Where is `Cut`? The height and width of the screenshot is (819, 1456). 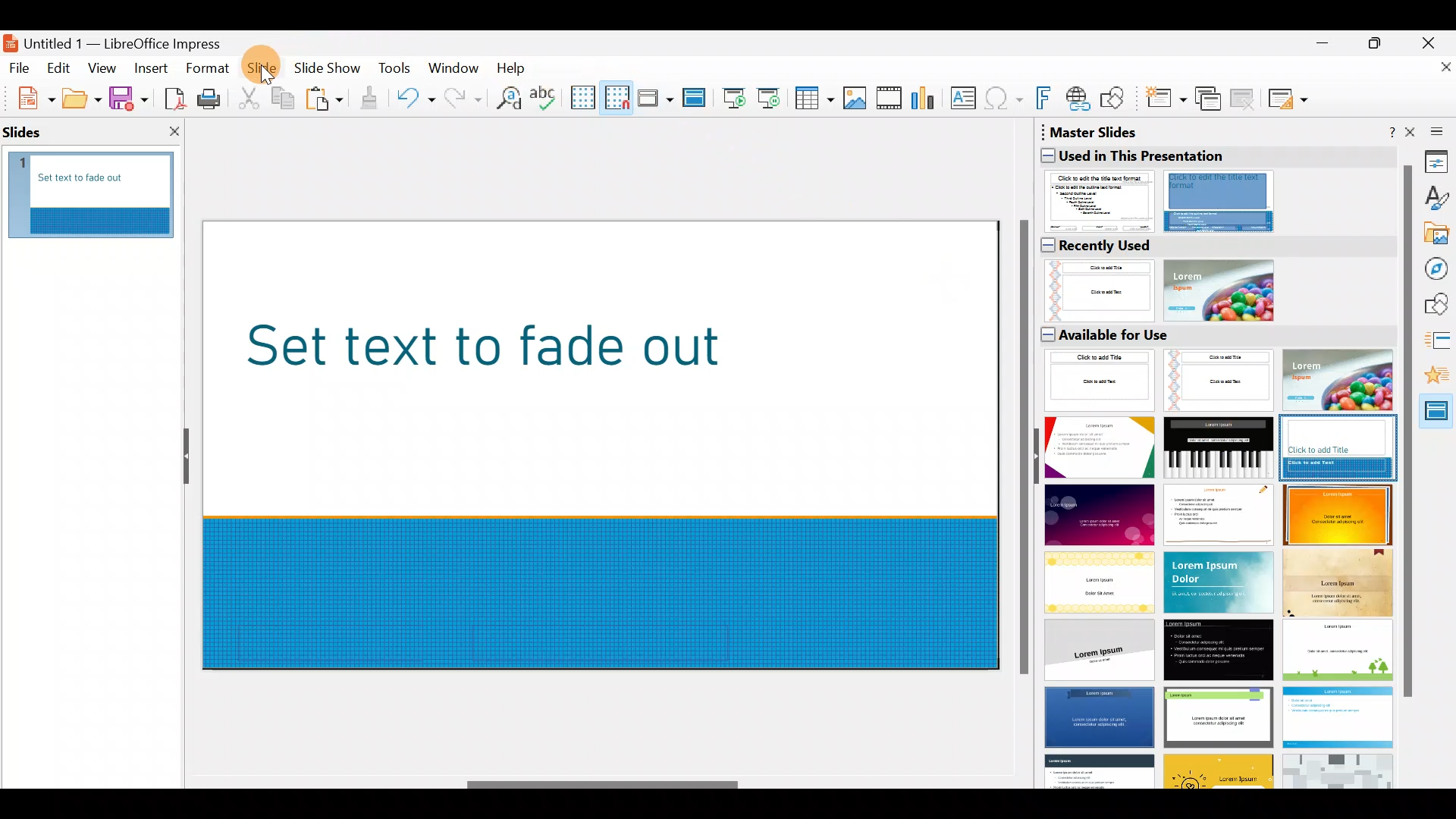 Cut is located at coordinates (251, 99).